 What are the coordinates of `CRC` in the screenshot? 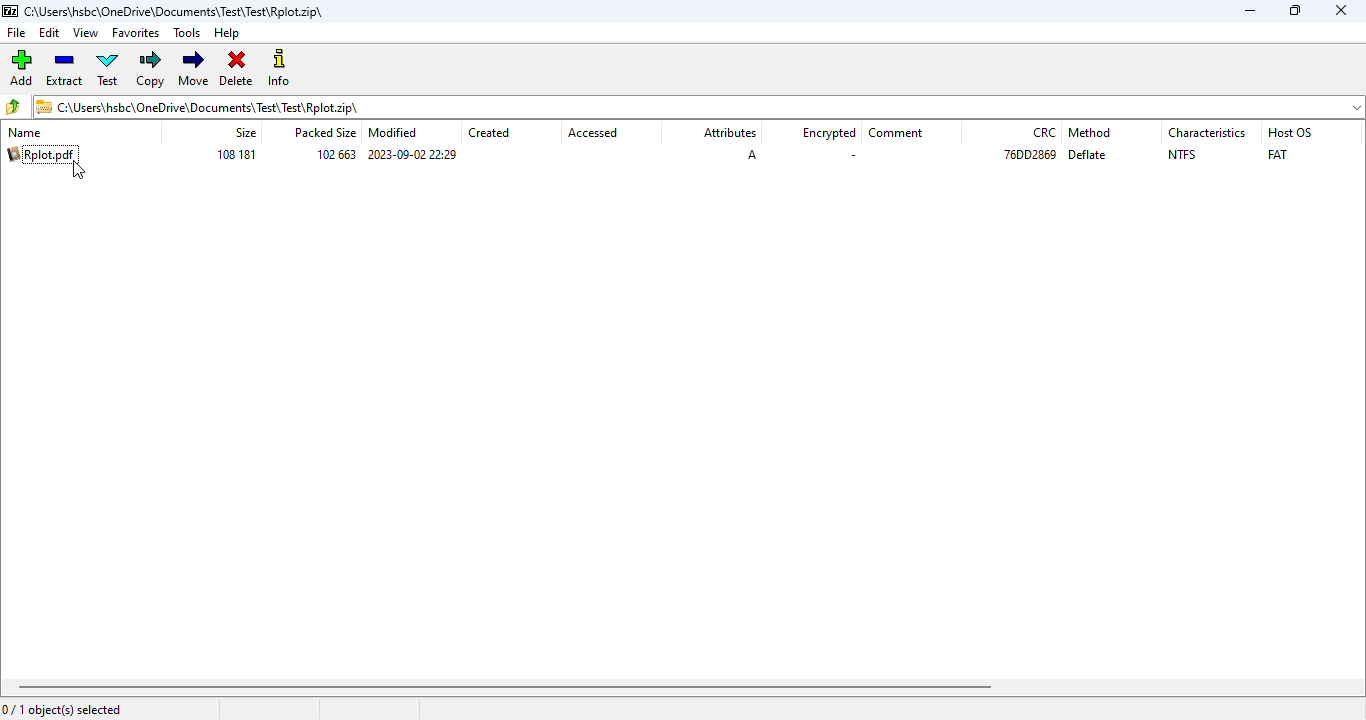 It's located at (1045, 132).